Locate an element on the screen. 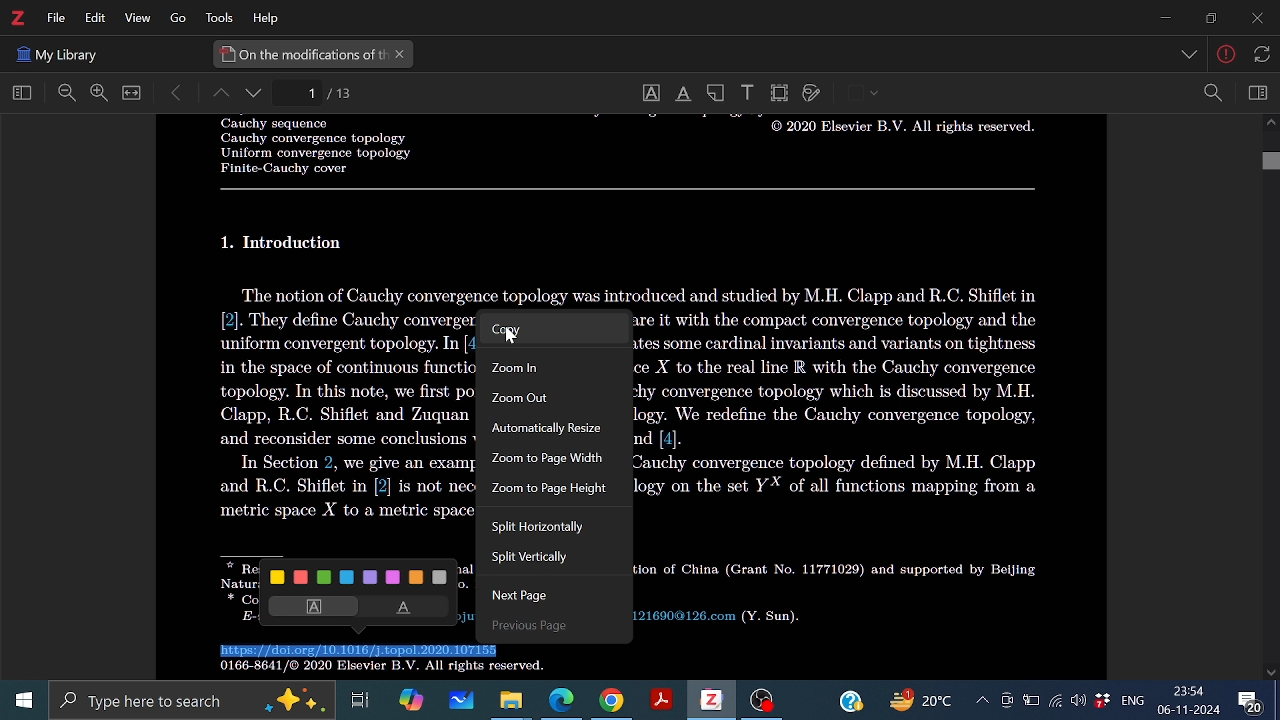  Next page is located at coordinates (535, 598).